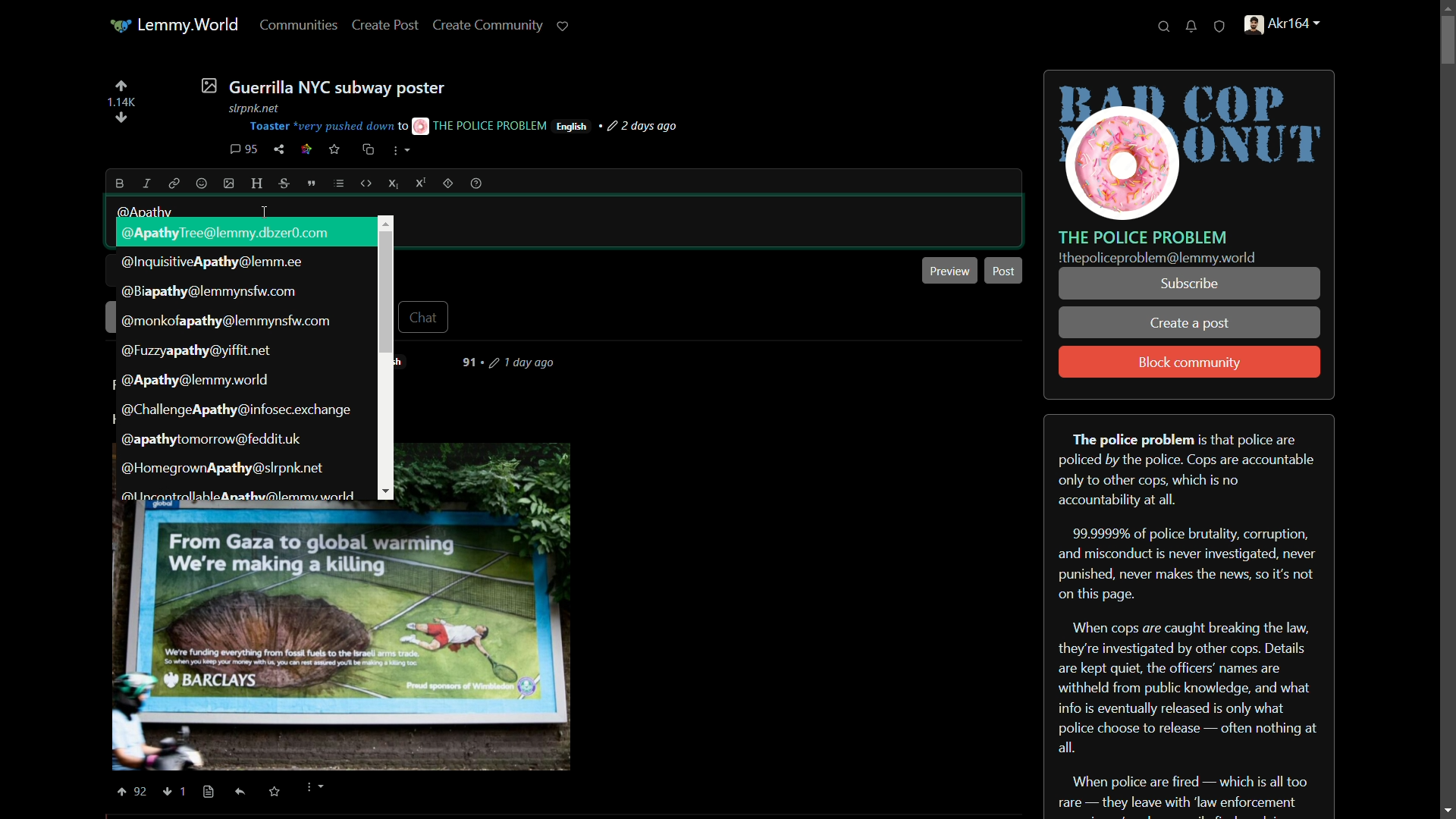  Describe the element at coordinates (328, 127) in the screenshot. I see `Toaster "very pushed down t0` at that location.